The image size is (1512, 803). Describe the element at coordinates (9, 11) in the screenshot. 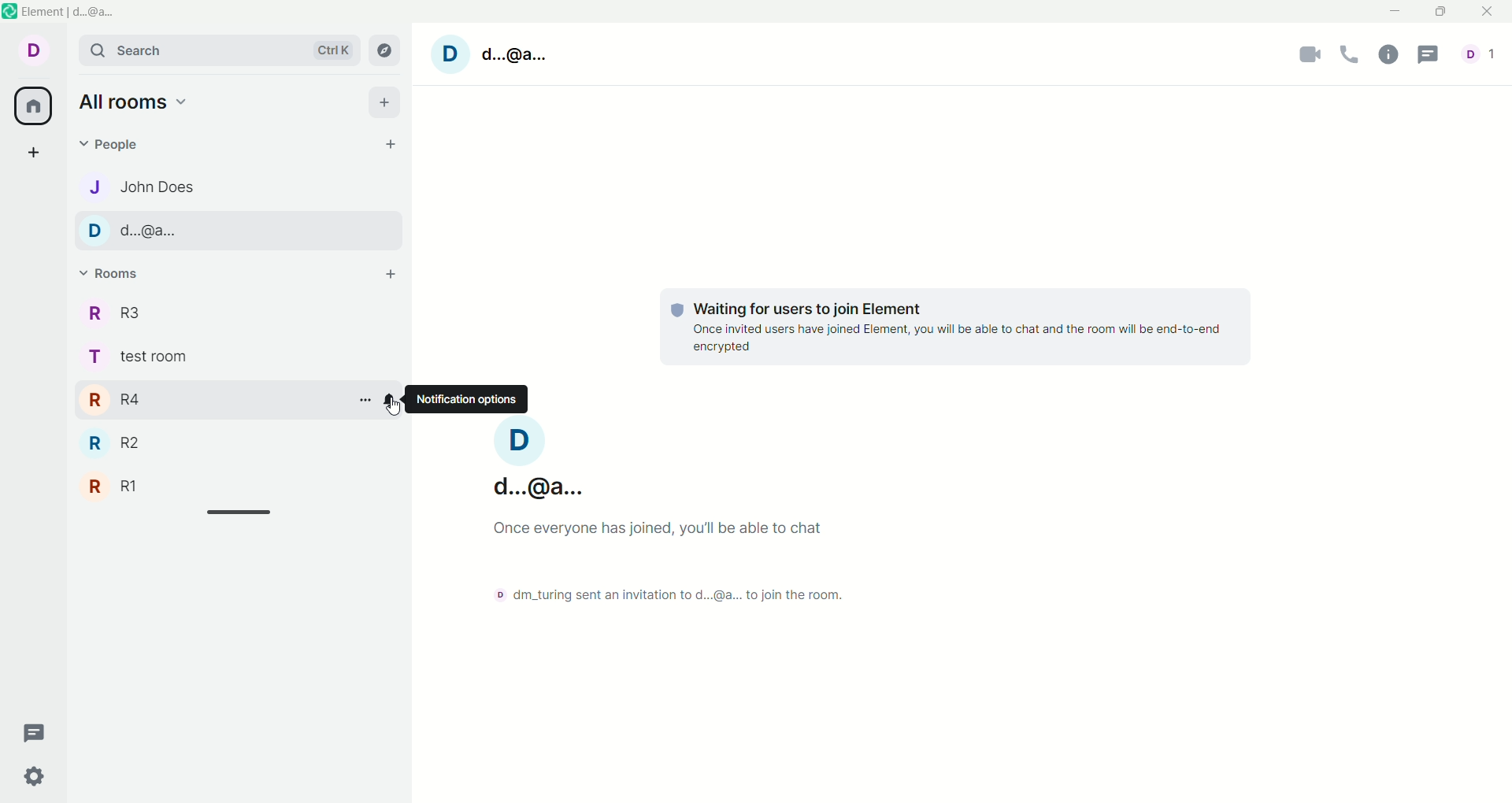

I see `Software logo` at that location.